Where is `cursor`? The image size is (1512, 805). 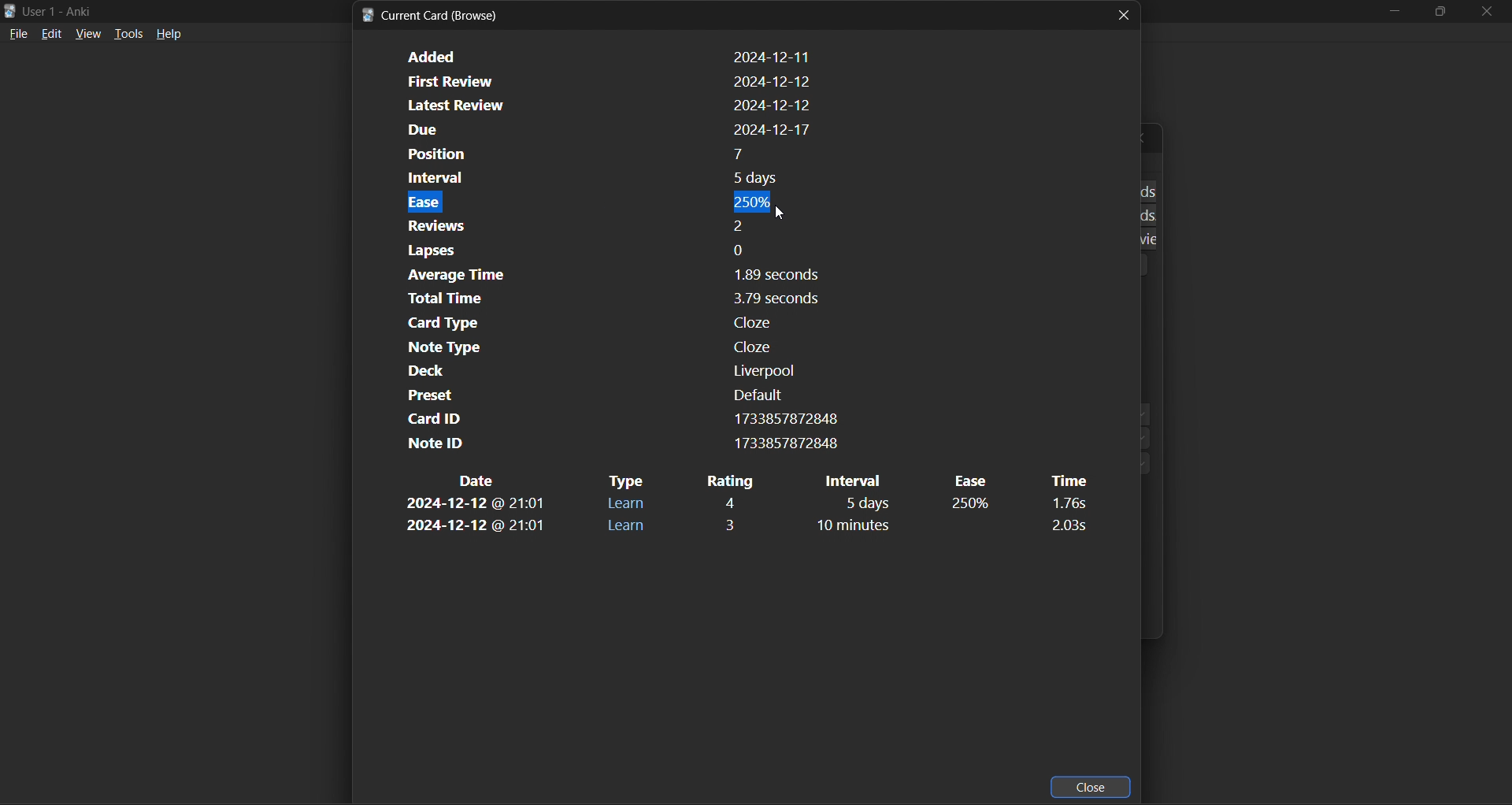 cursor is located at coordinates (785, 214).